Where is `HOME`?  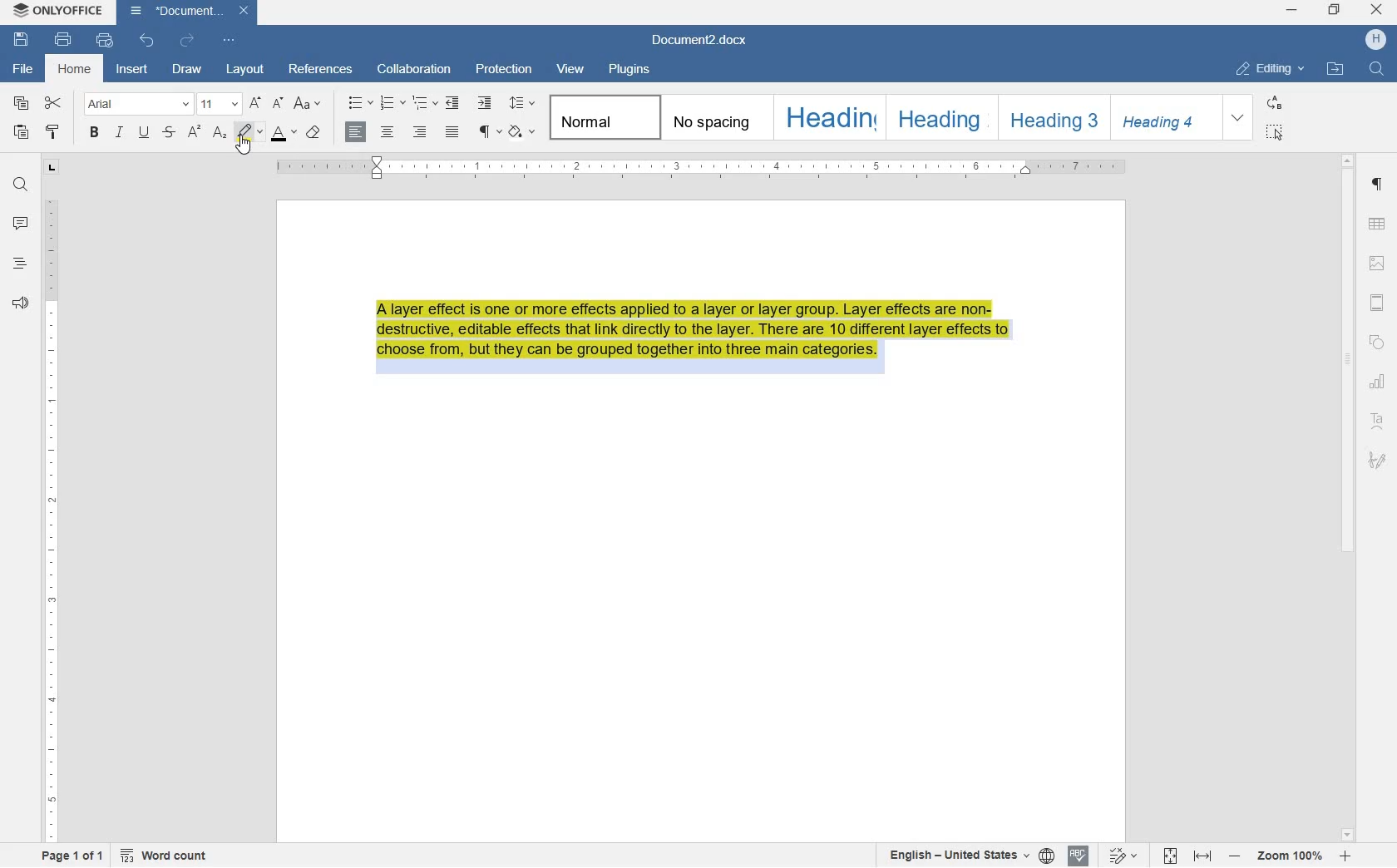
HOME is located at coordinates (76, 69).